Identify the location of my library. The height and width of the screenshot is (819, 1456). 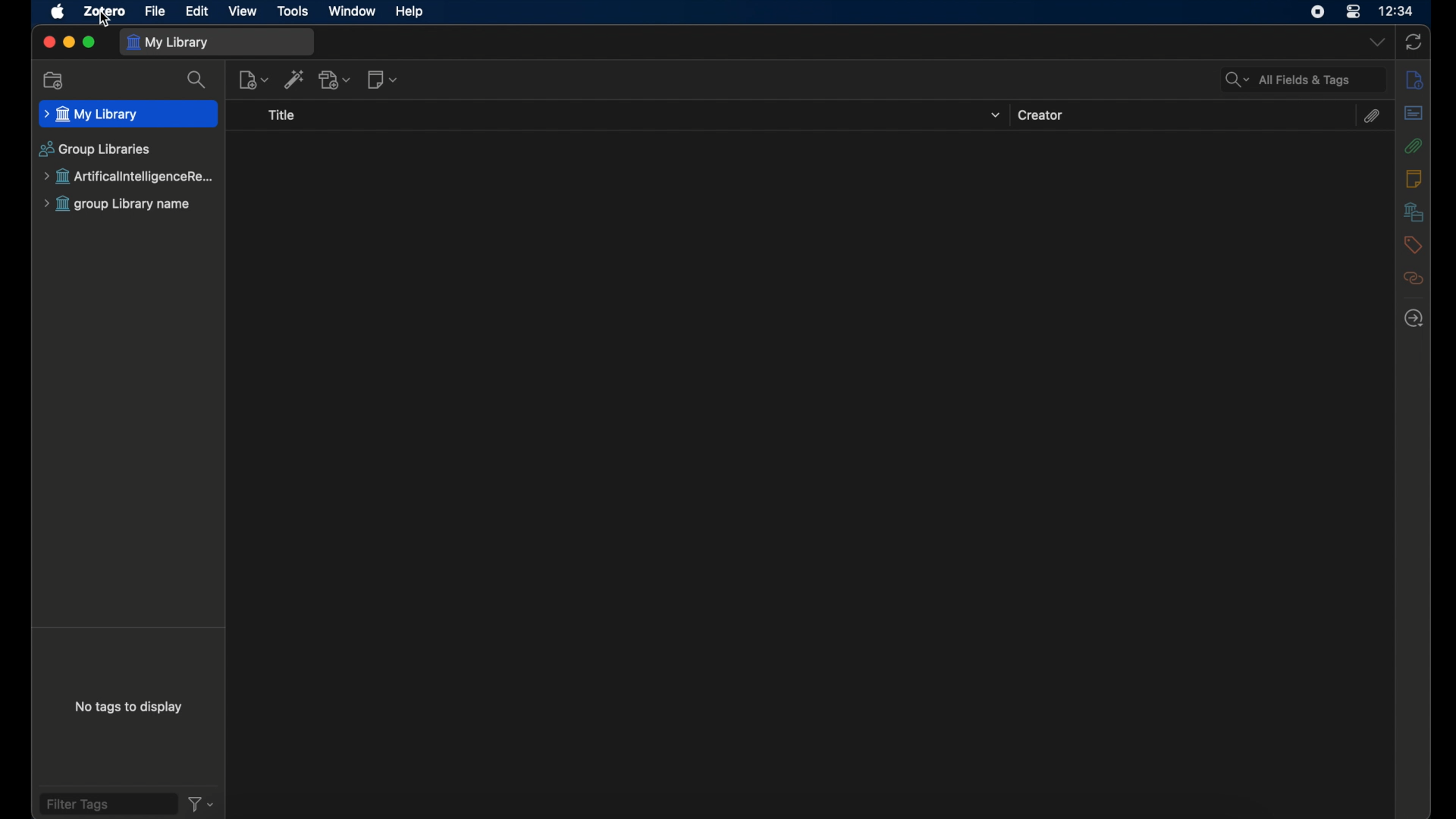
(218, 42).